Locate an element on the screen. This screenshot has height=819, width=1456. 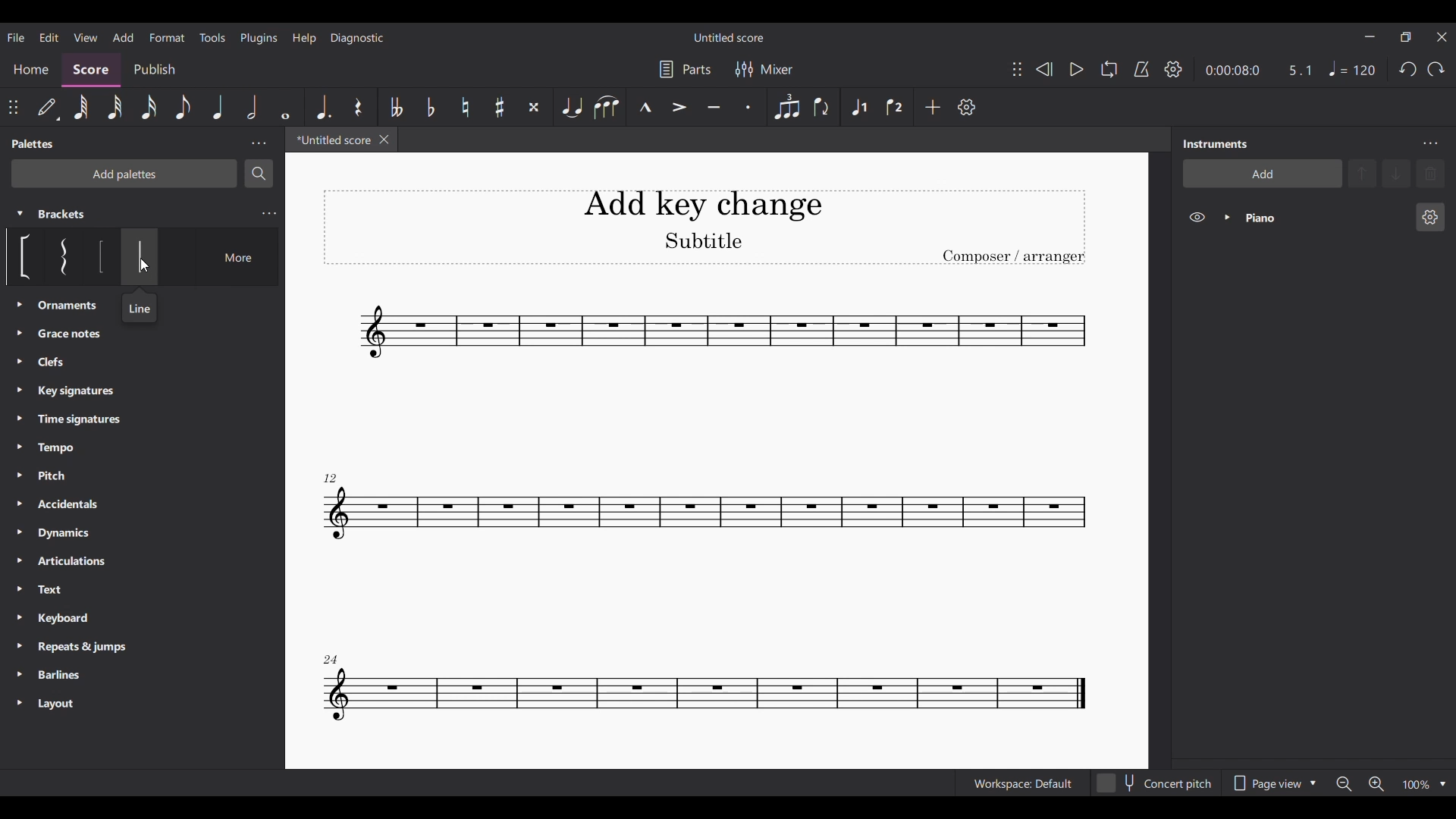
Description of current selection is located at coordinates (140, 307).